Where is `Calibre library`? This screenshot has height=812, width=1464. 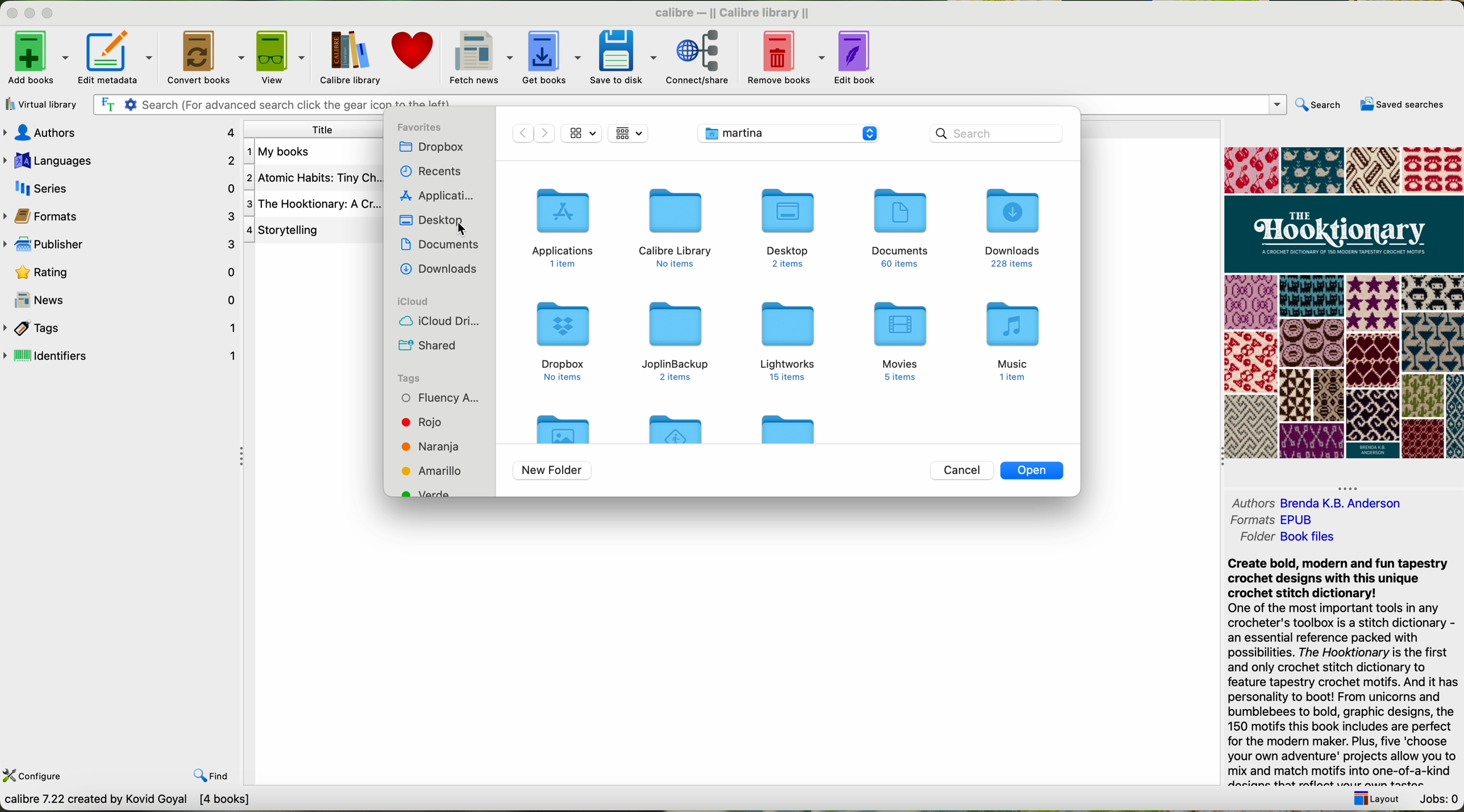
Calibre library is located at coordinates (348, 58).